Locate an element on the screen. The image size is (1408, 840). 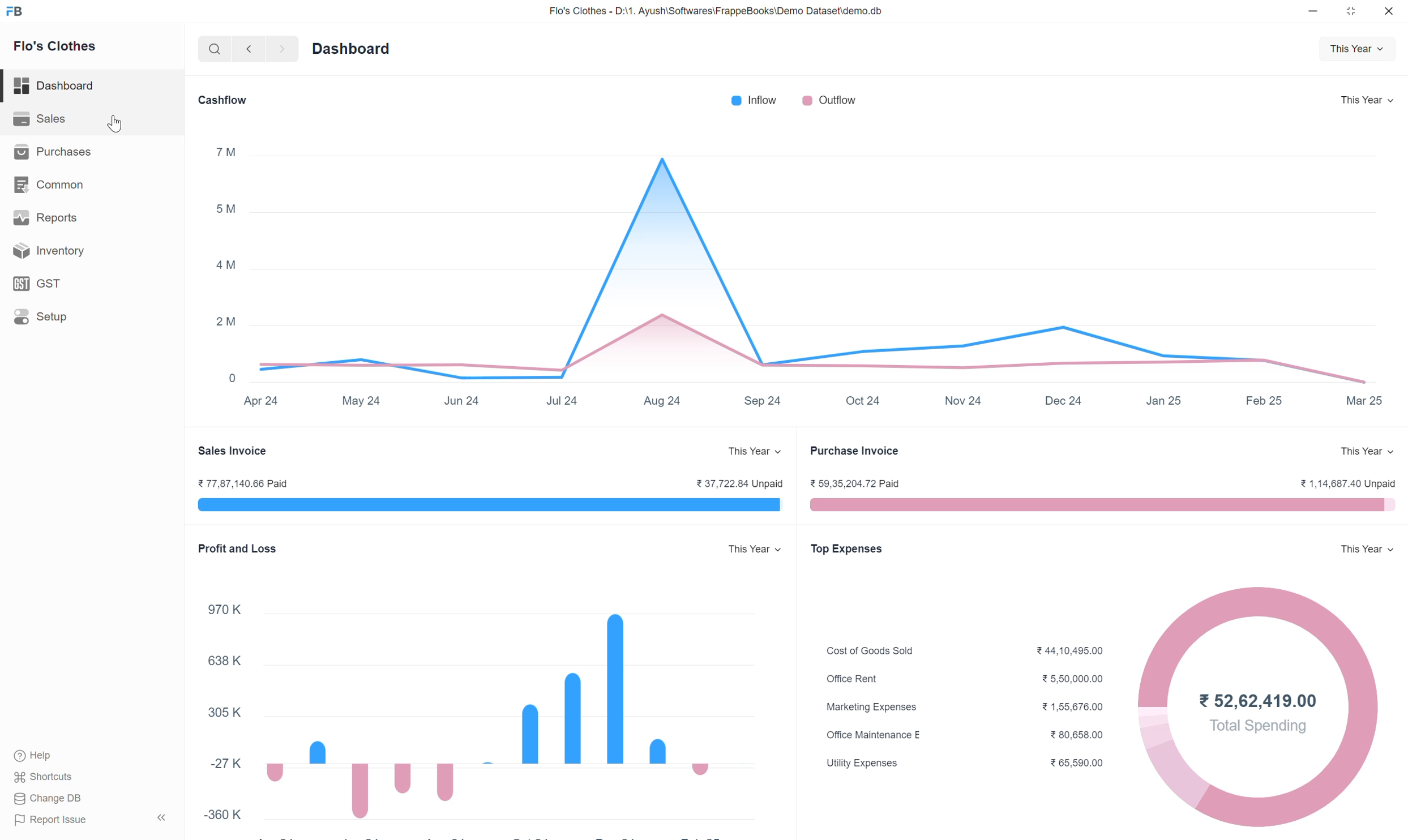
Office Maintenance E is located at coordinates (872, 737).